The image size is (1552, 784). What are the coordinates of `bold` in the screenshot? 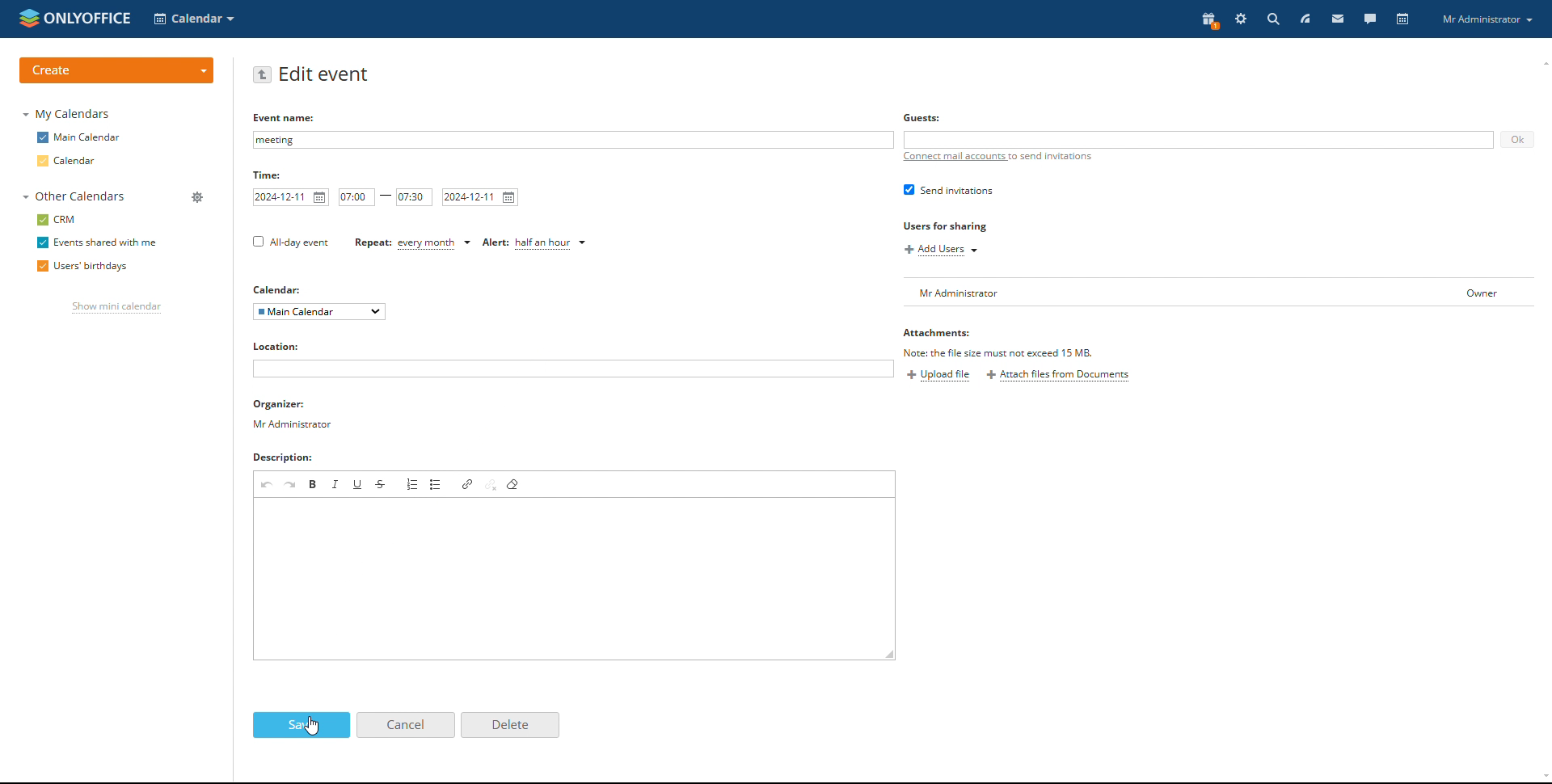 It's located at (314, 484).